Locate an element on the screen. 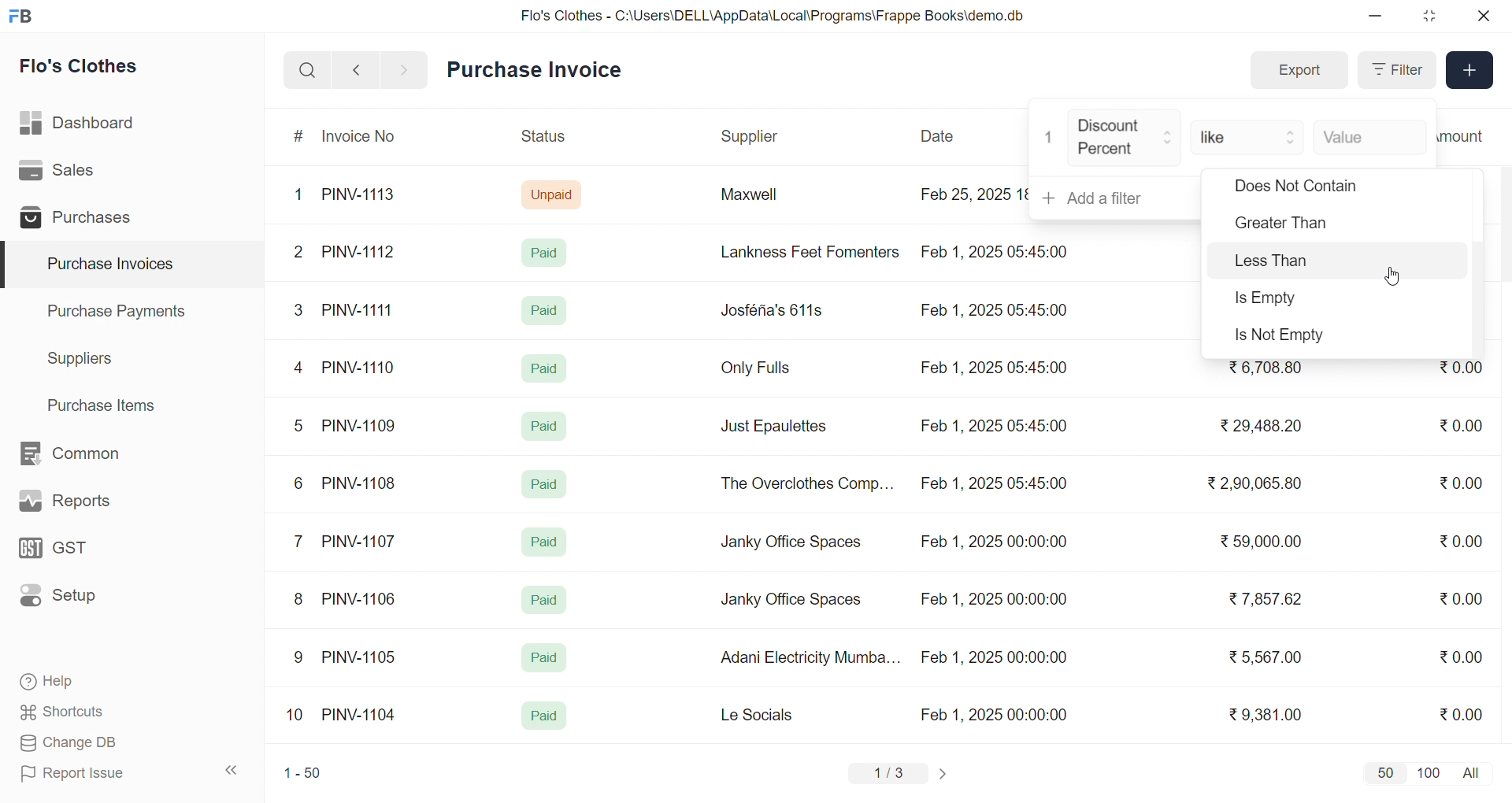 This screenshot has height=803, width=1512. minimize is located at coordinates (1377, 17).